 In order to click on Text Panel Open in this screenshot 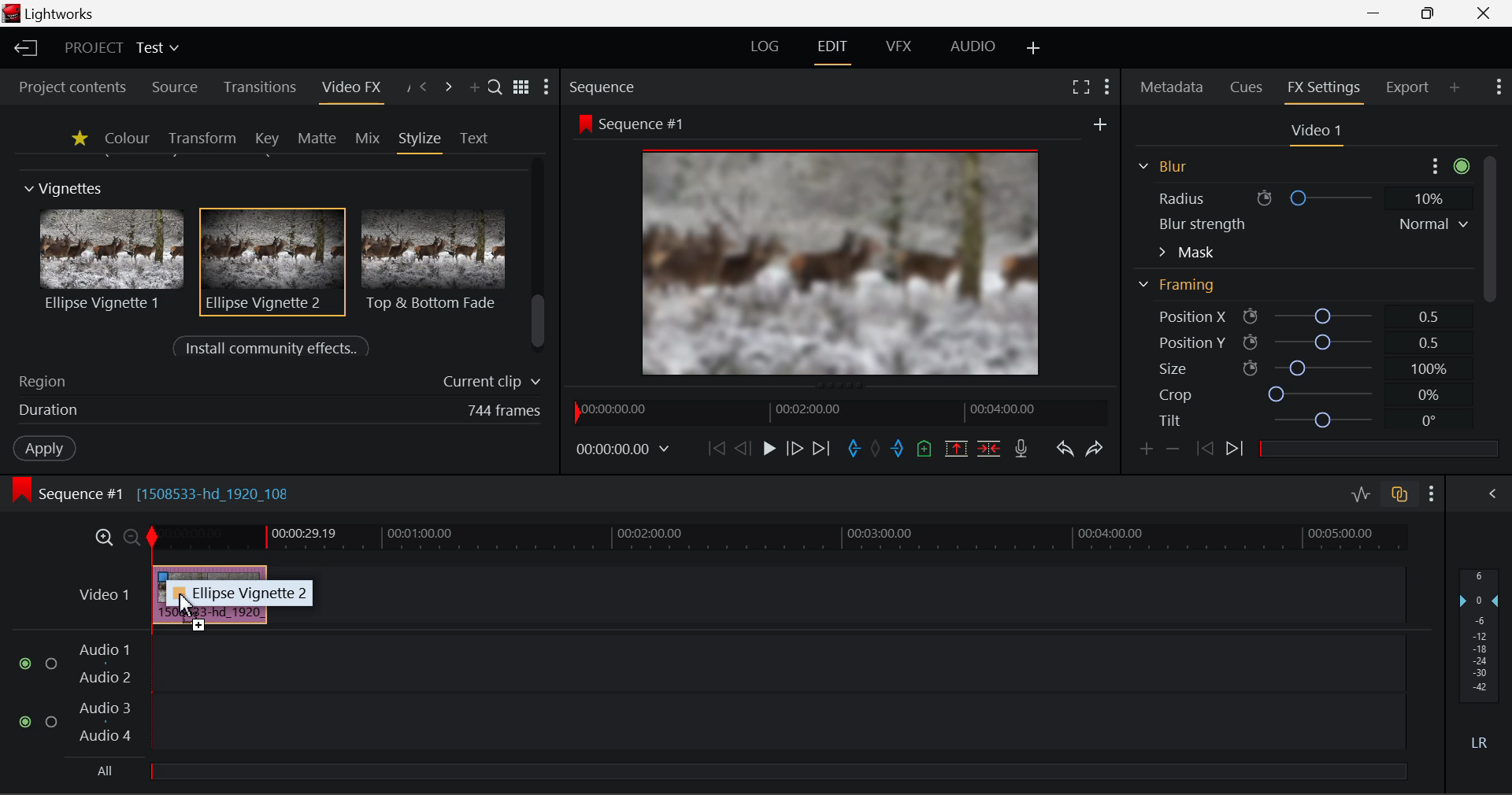, I will do `click(476, 137)`.